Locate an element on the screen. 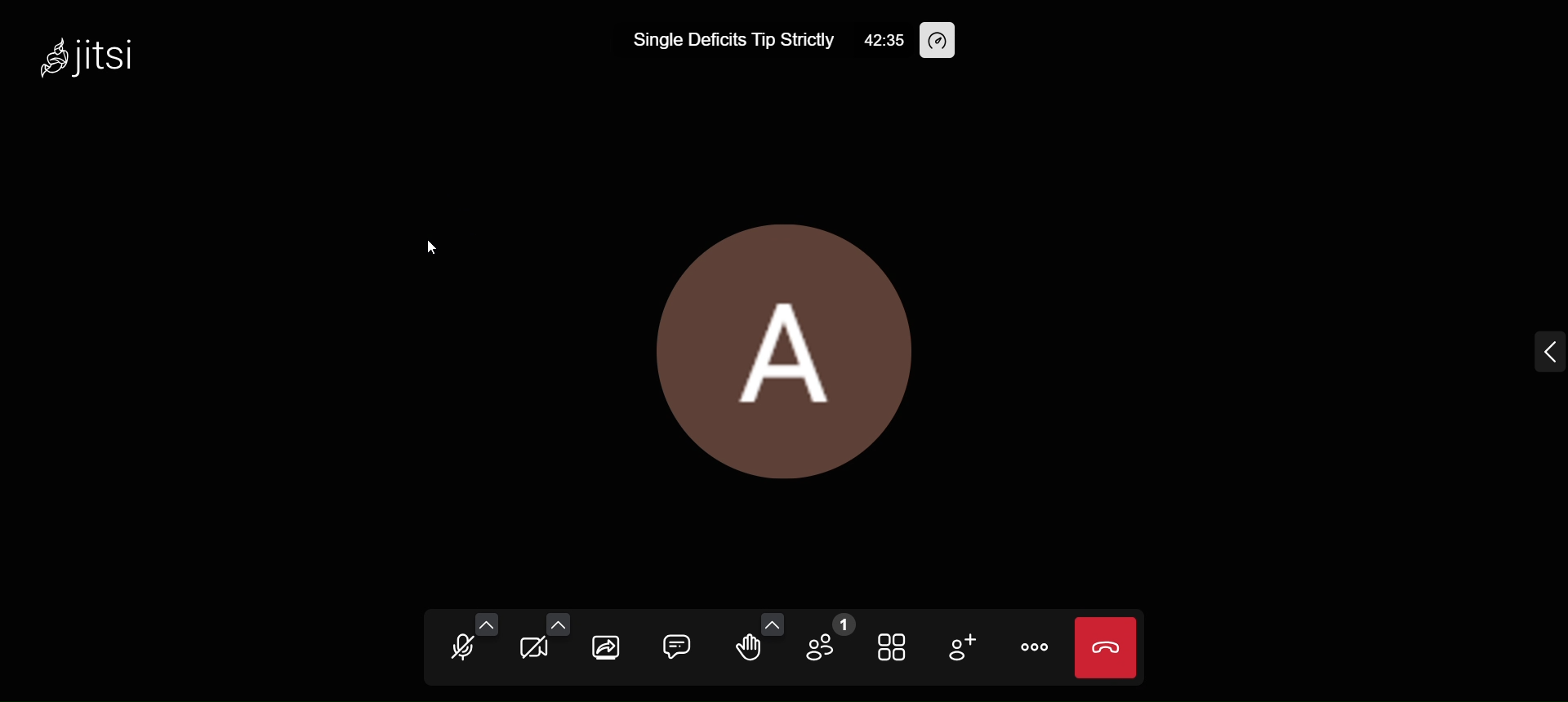  invite people is located at coordinates (964, 648).